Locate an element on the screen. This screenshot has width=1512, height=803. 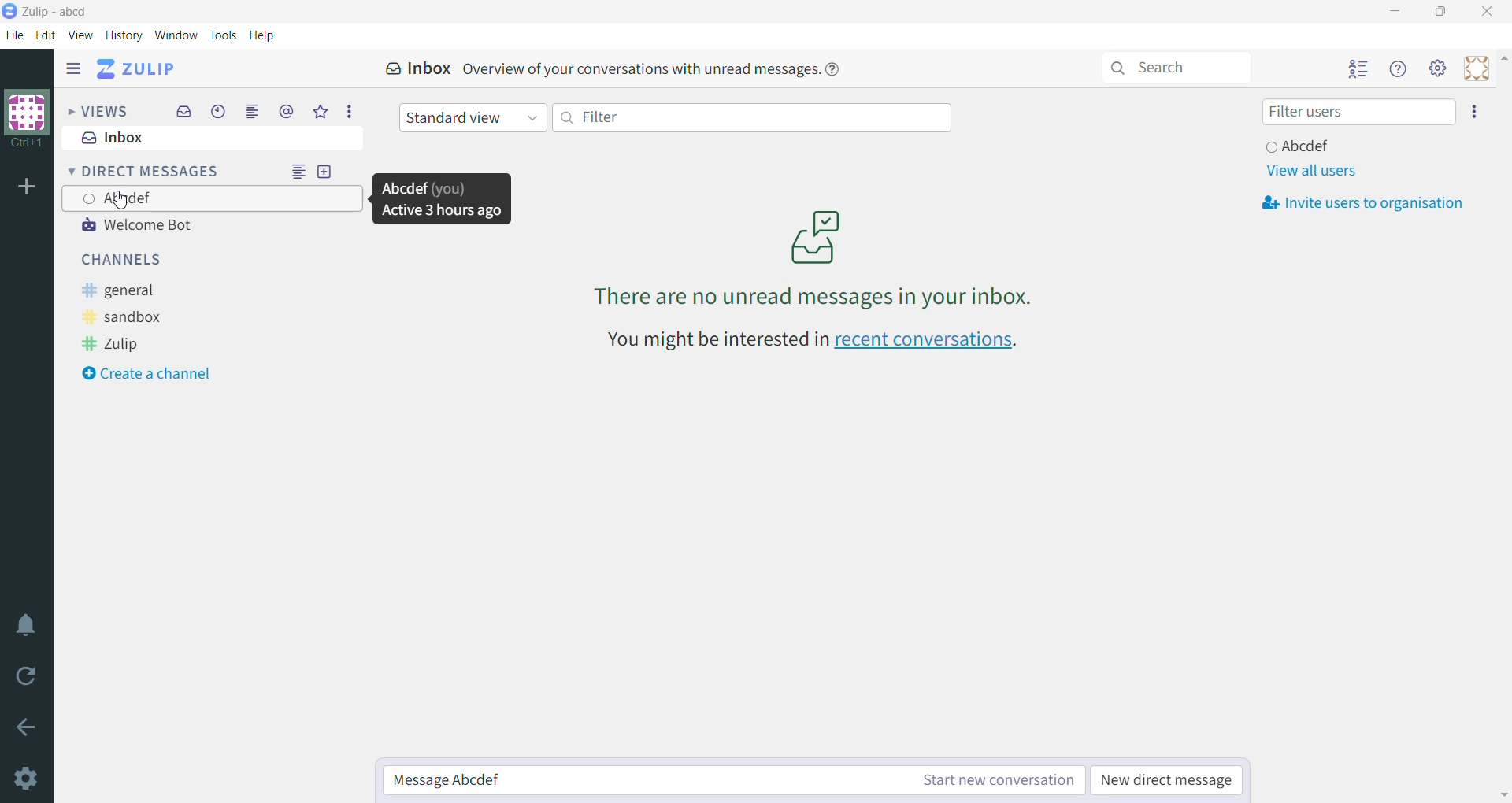
Application is located at coordinates (136, 68).